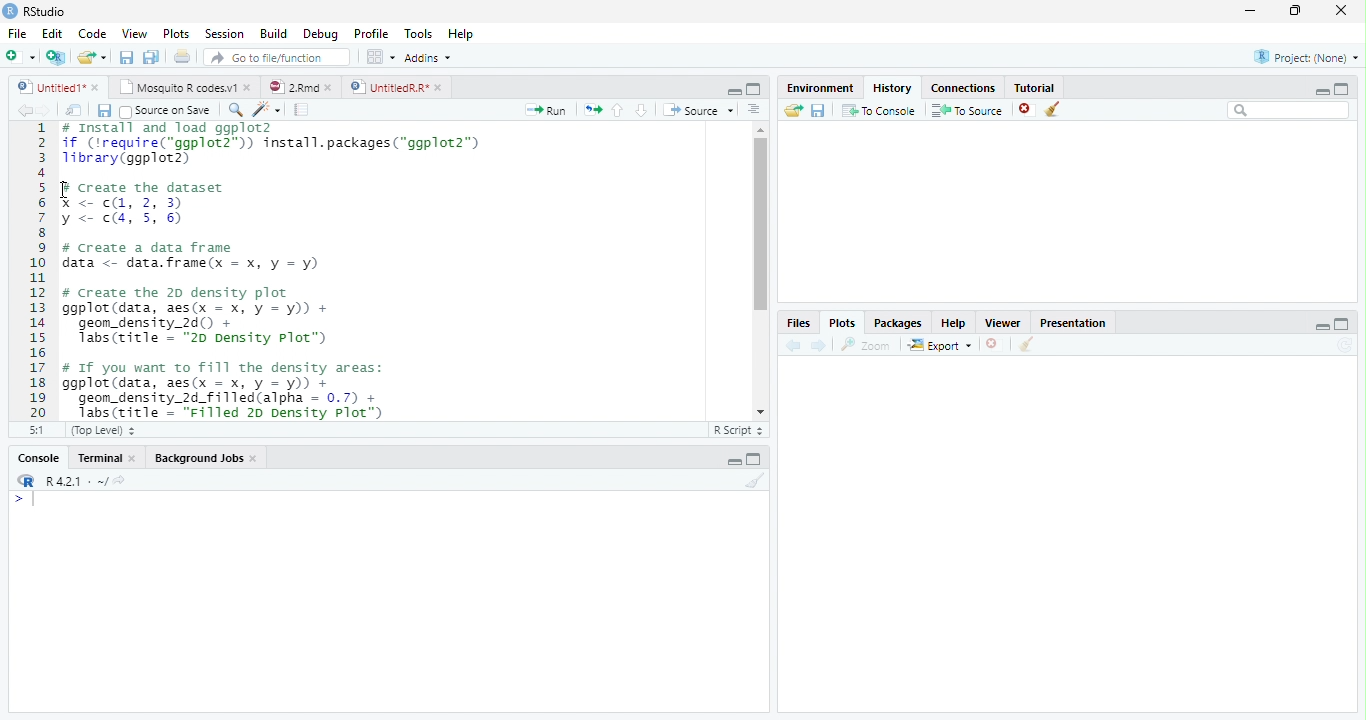 The width and height of the screenshot is (1366, 720). Describe the element at coordinates (46, 87) in the screenshot. I see `Untitled1` at that location.